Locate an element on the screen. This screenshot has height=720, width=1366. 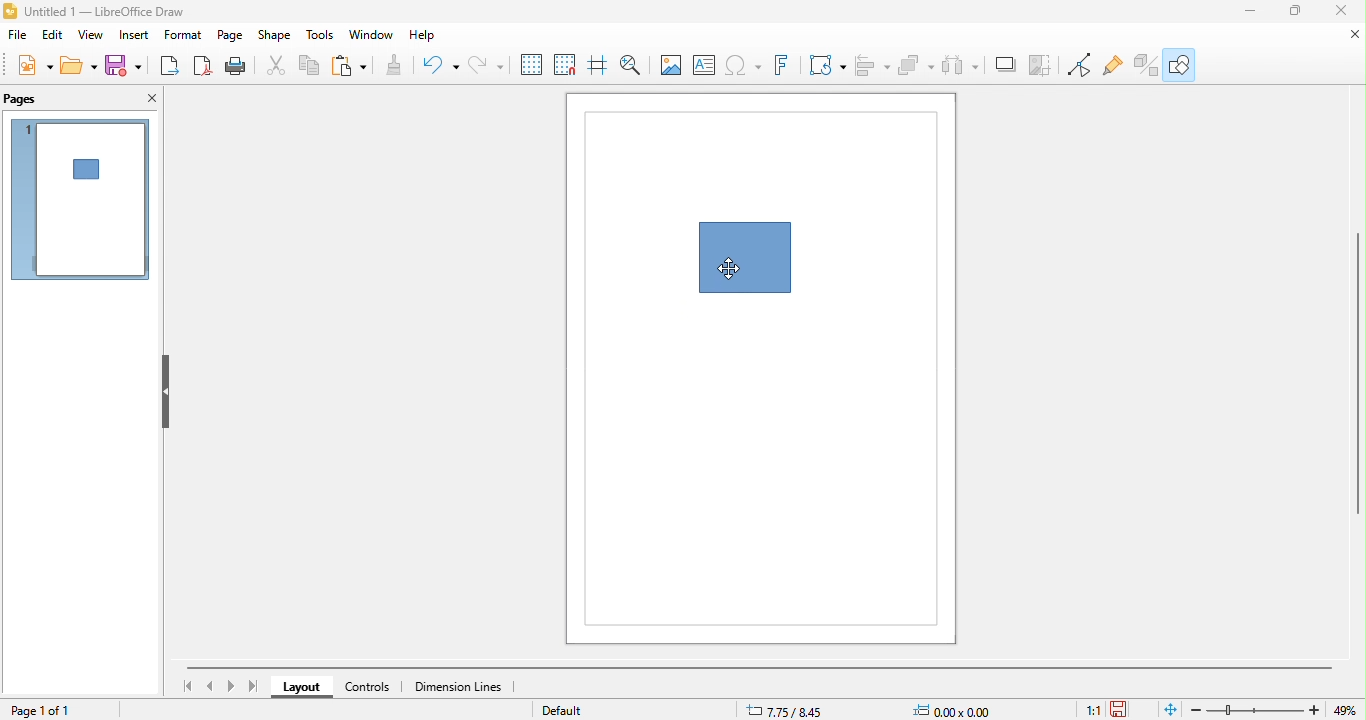
first page is located at coordinates (187, 686).